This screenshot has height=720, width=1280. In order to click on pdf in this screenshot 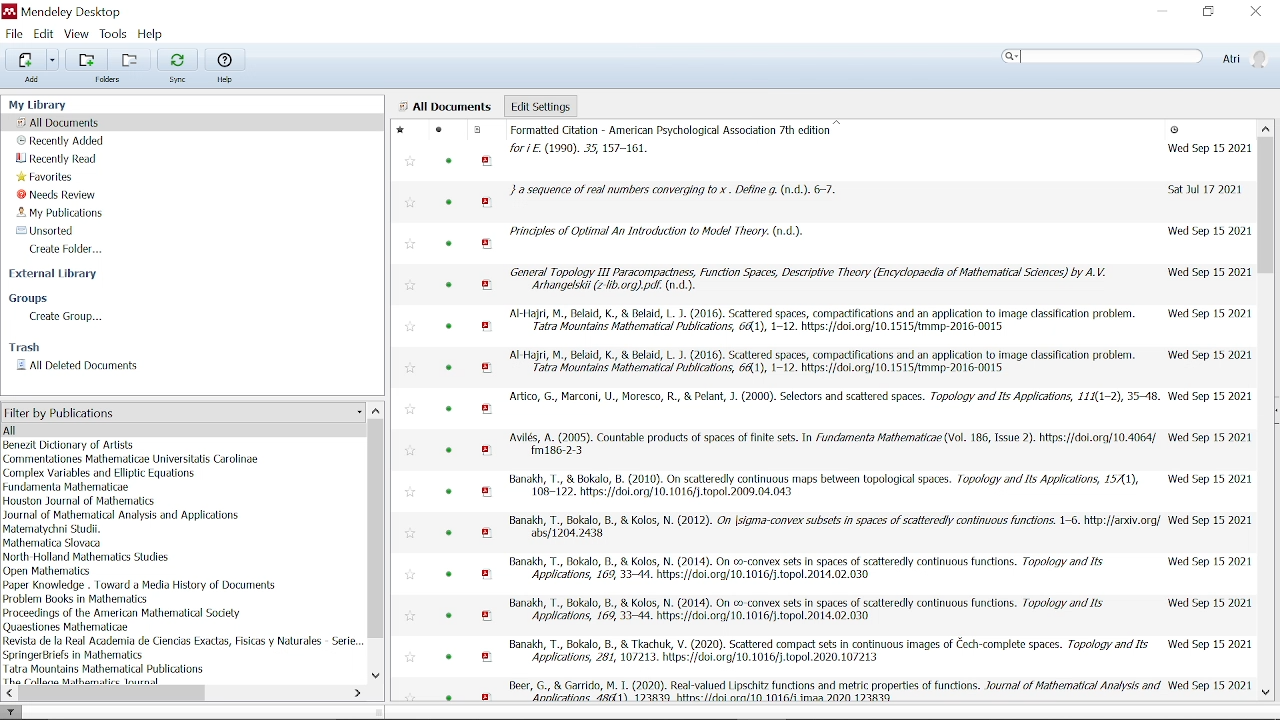, I will do `click(488, 616)`.